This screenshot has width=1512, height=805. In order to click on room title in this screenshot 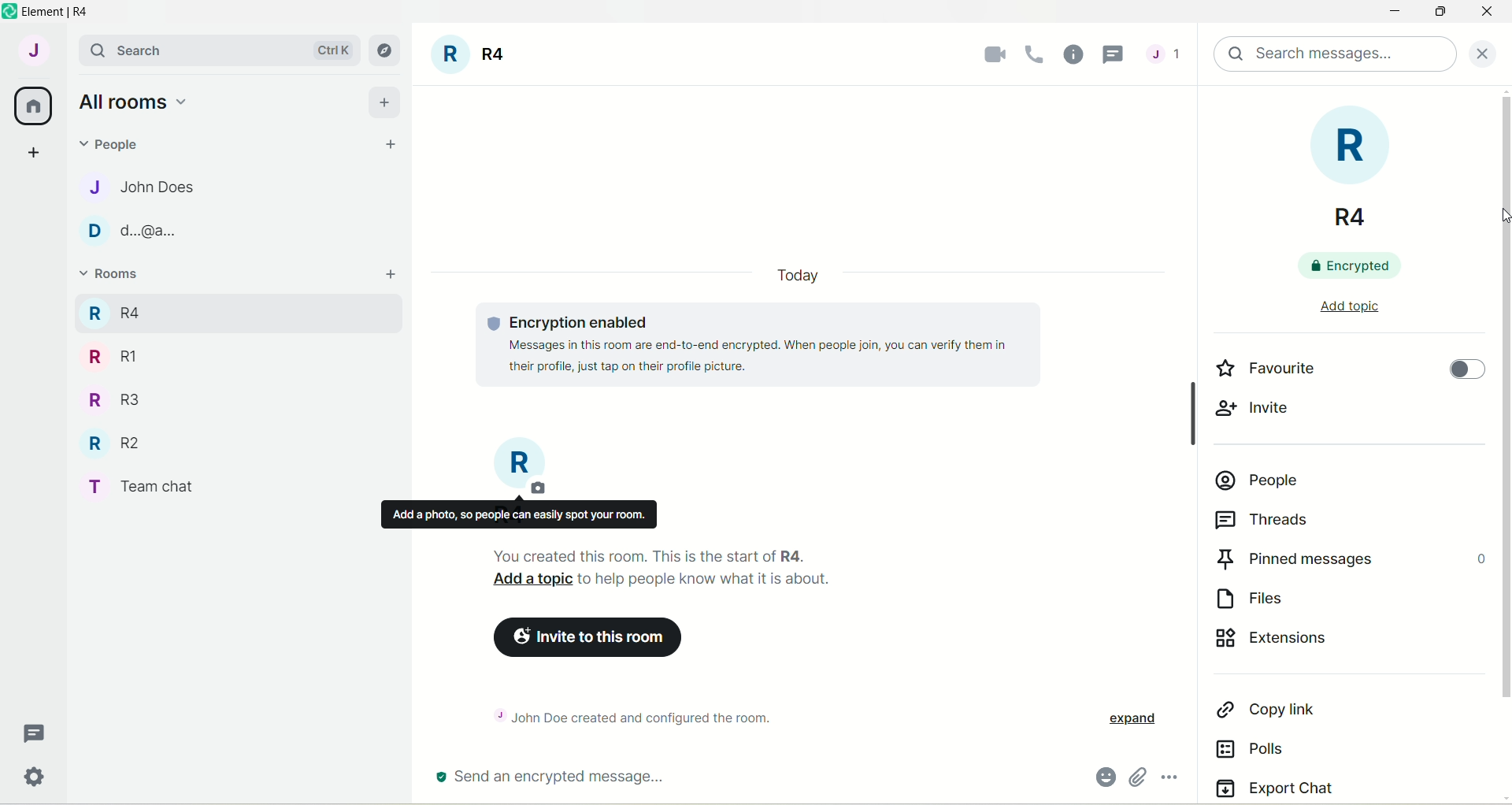, I will do `click(521, 467)`.